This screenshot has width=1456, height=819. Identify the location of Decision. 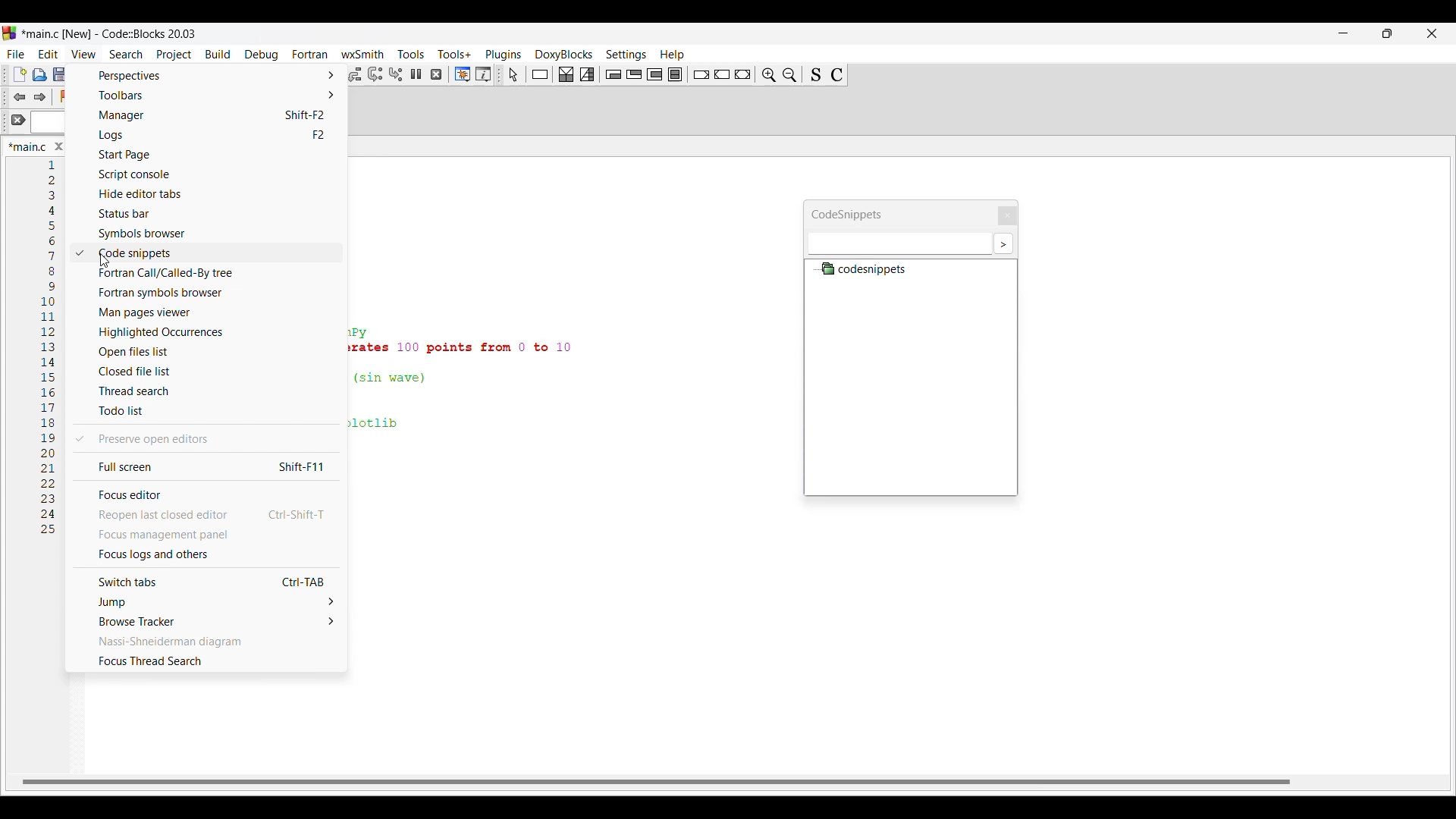
(566, 74).